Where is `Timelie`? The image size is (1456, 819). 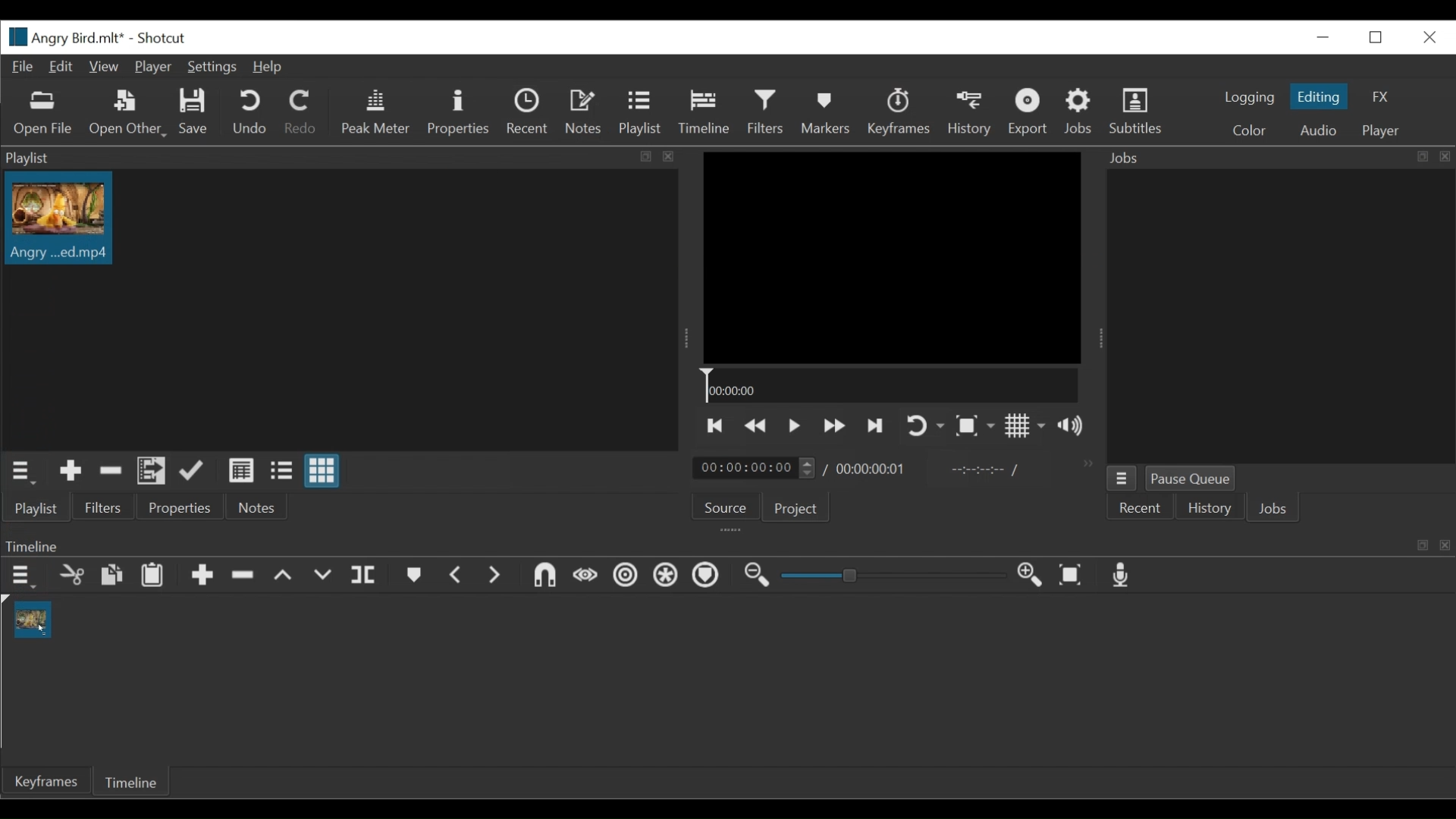
Timelie is located at coordinates (130, 784).